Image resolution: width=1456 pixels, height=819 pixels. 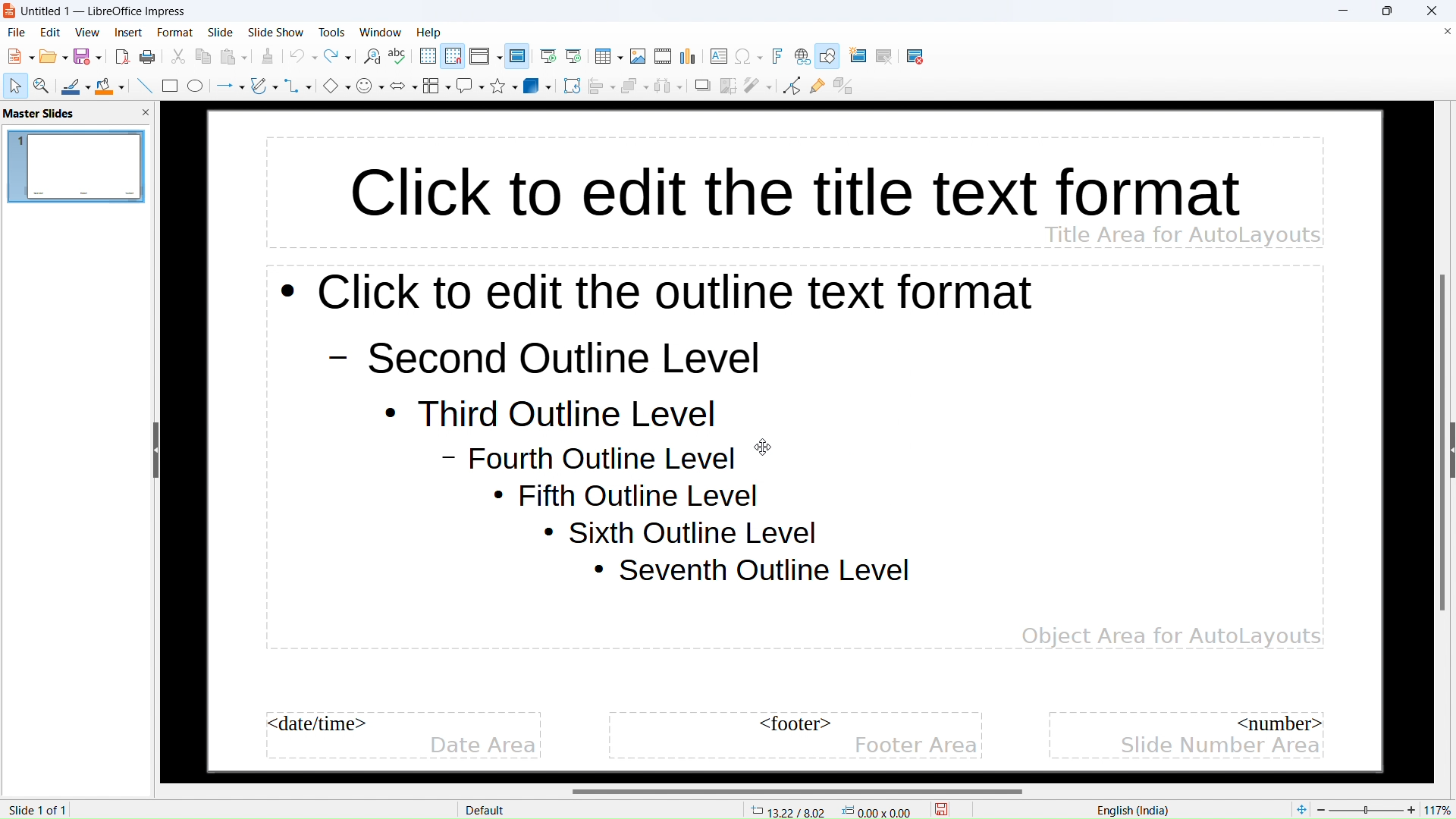 What do you see at coordinates (538, 86) in the screenshot?
I see `3D objects` at bounding box center [538, 86].